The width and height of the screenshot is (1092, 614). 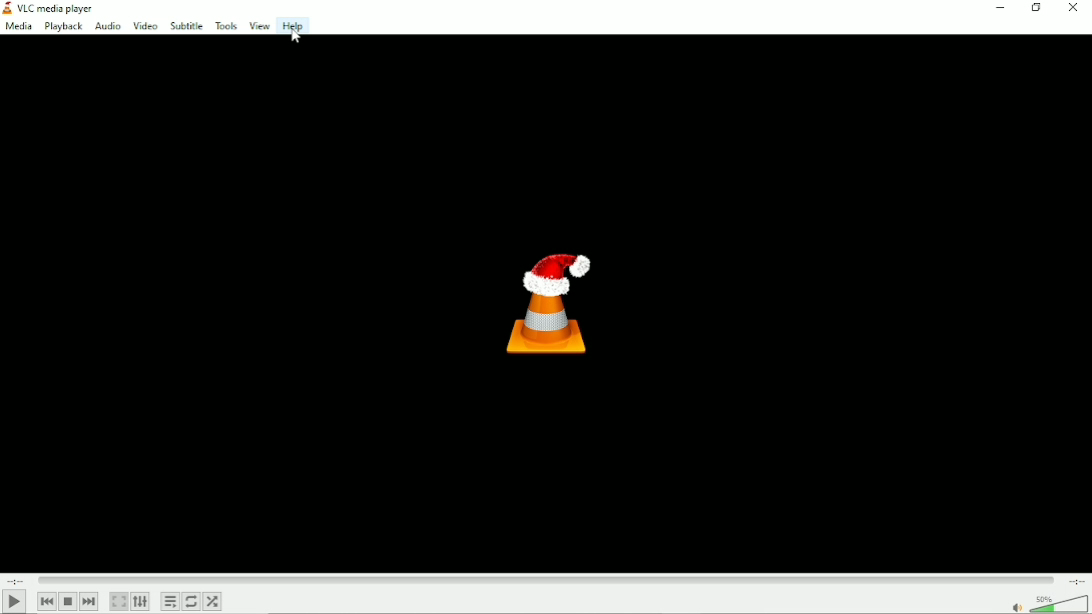 I want to click on Tools, so click(x=223, y=24).